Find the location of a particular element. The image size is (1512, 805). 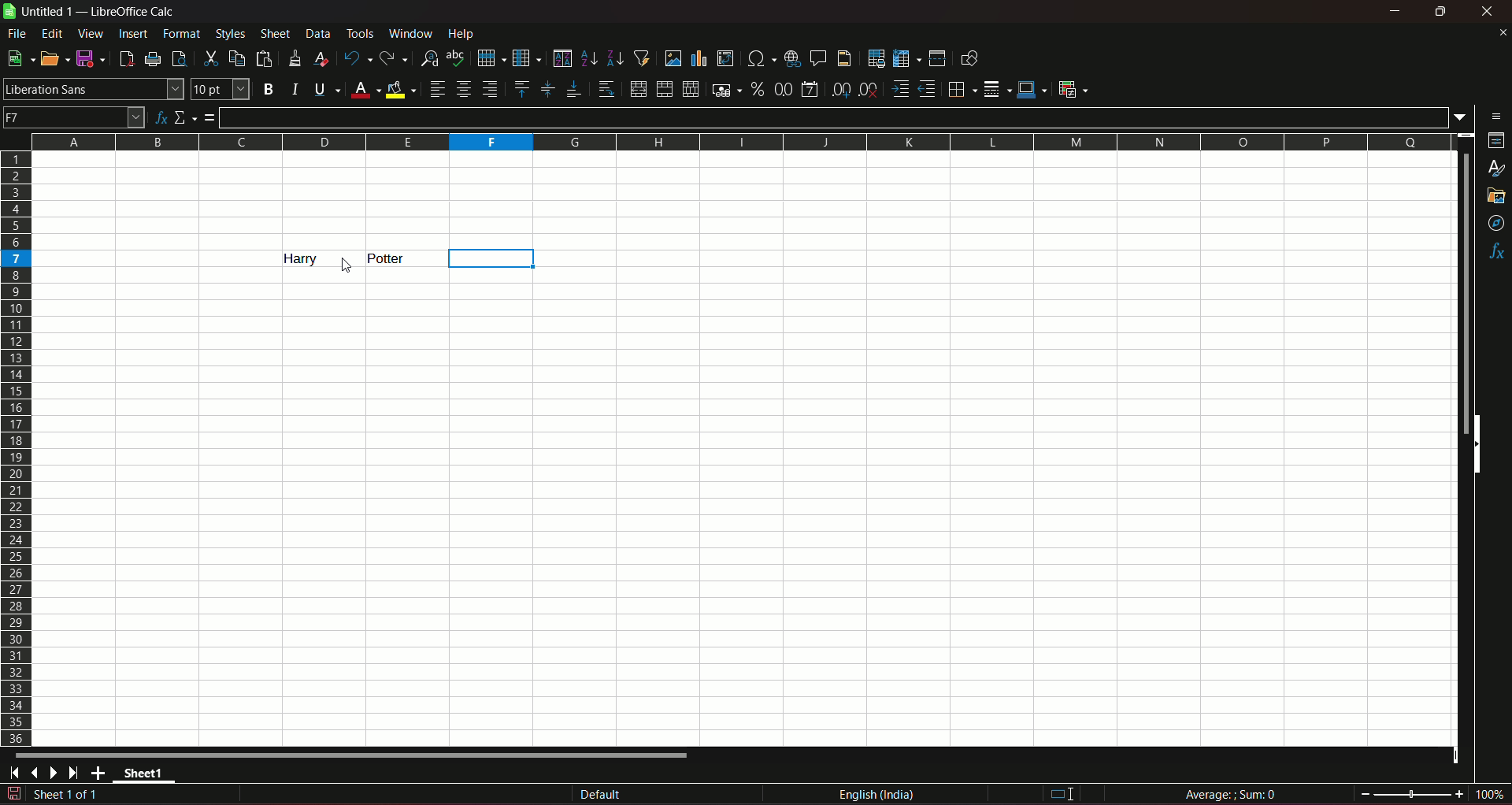

language is located at coordinates (880, 795).